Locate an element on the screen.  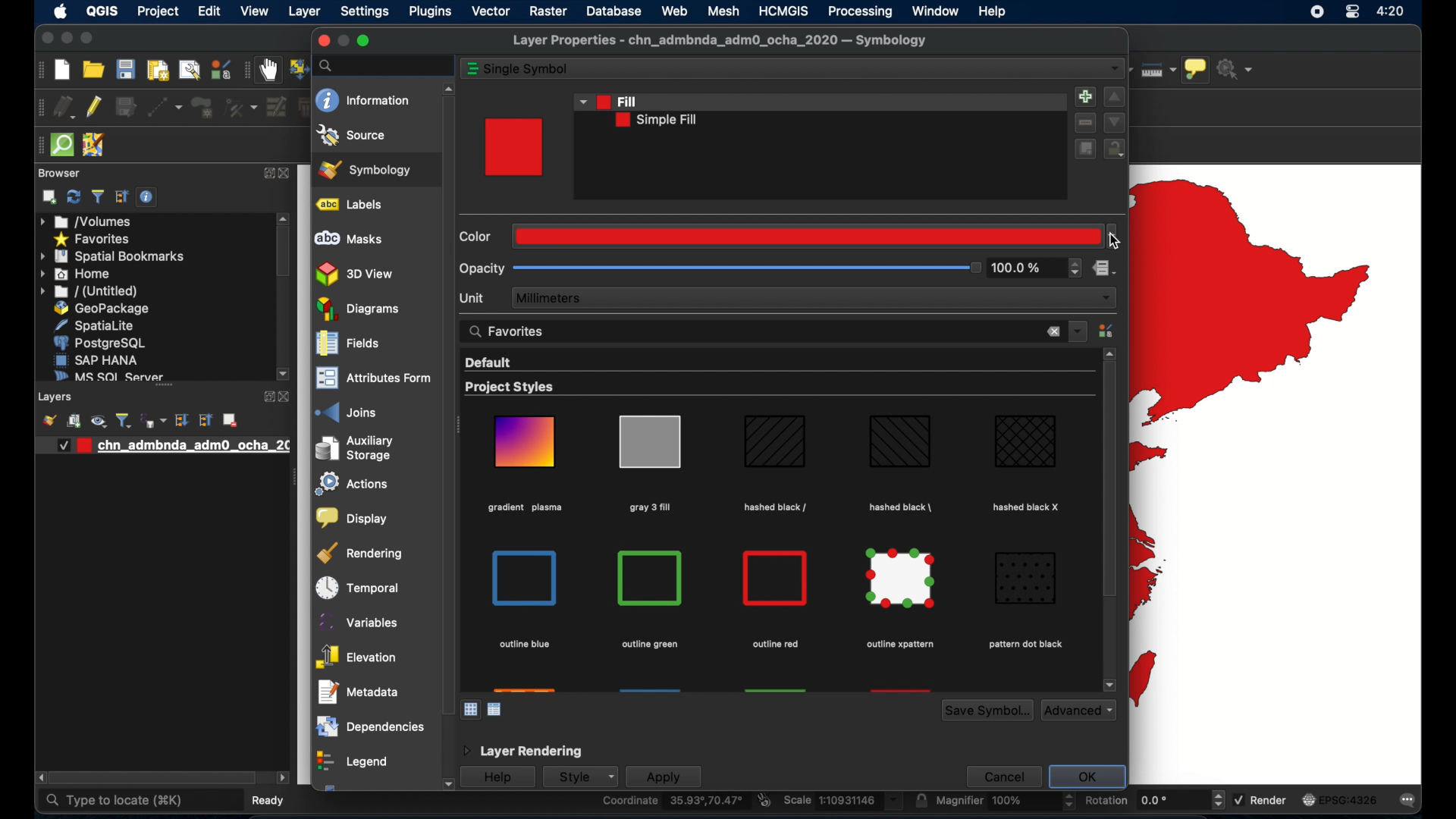
simple fill is located at coordinates (657, 121).